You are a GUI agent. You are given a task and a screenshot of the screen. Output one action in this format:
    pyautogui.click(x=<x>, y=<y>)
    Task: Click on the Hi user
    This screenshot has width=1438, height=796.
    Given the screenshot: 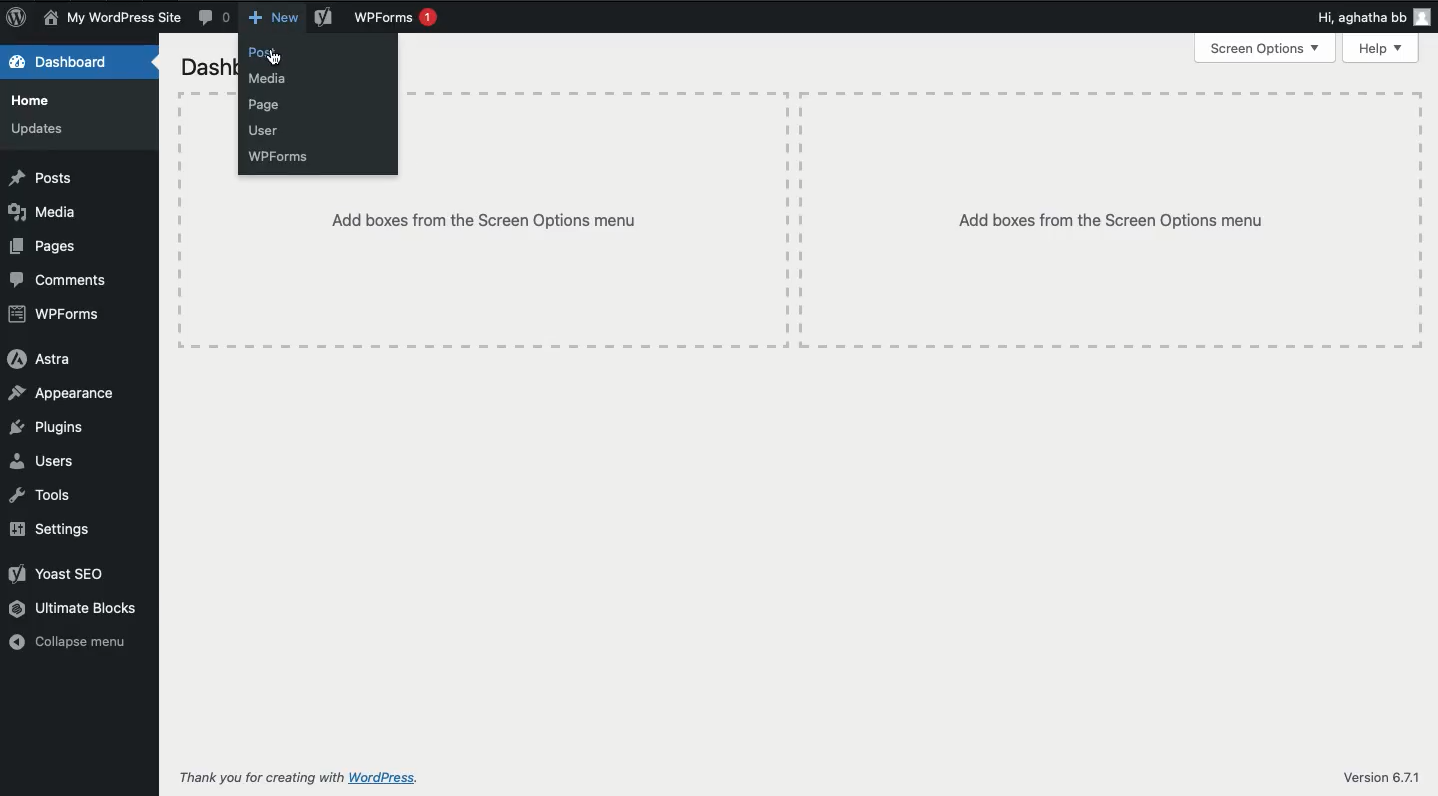 What is the action you would take?
    pyautogui.click(x=1371, y=15)
    